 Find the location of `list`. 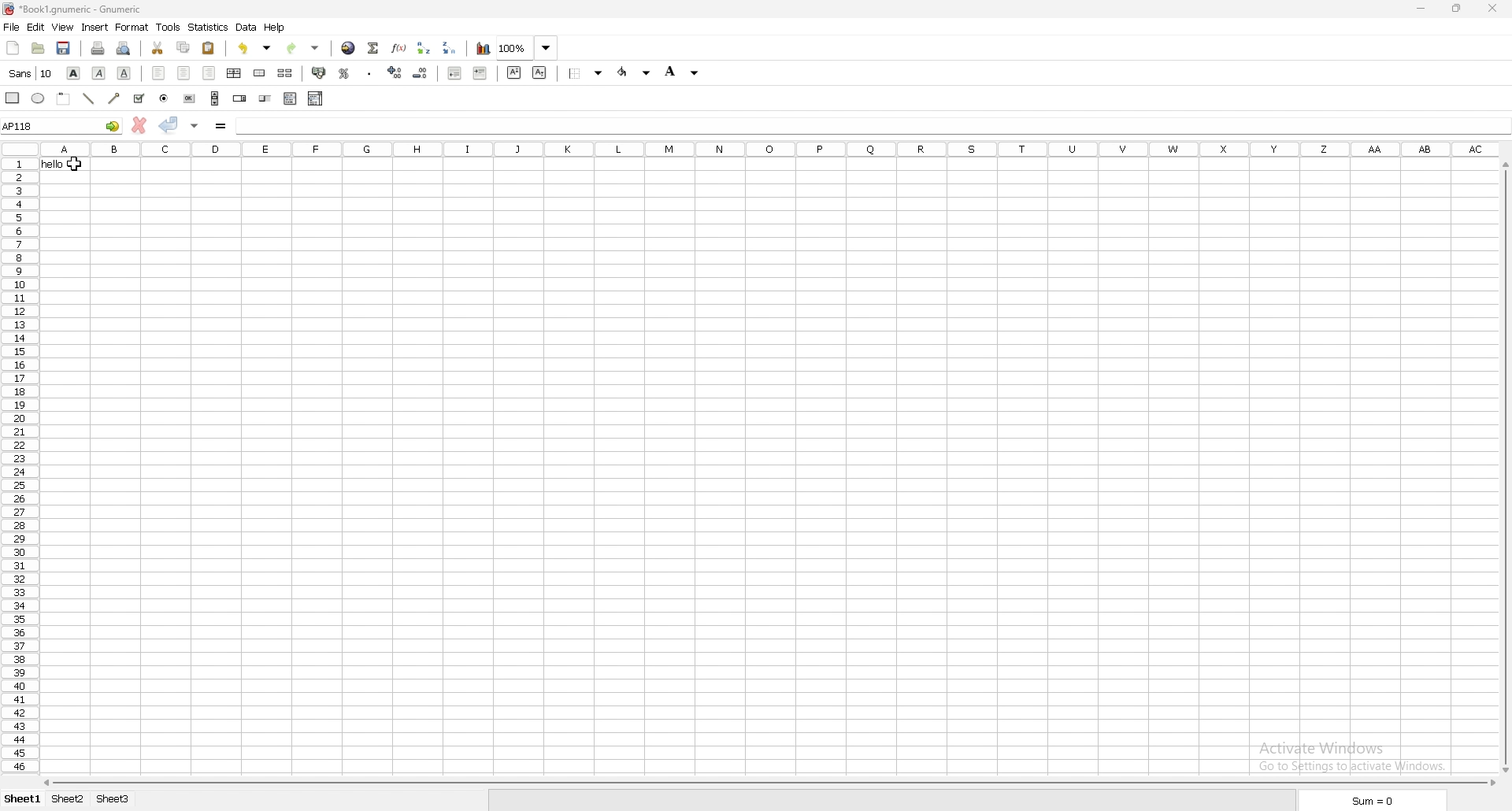

list is located at coordinates (291, 98).